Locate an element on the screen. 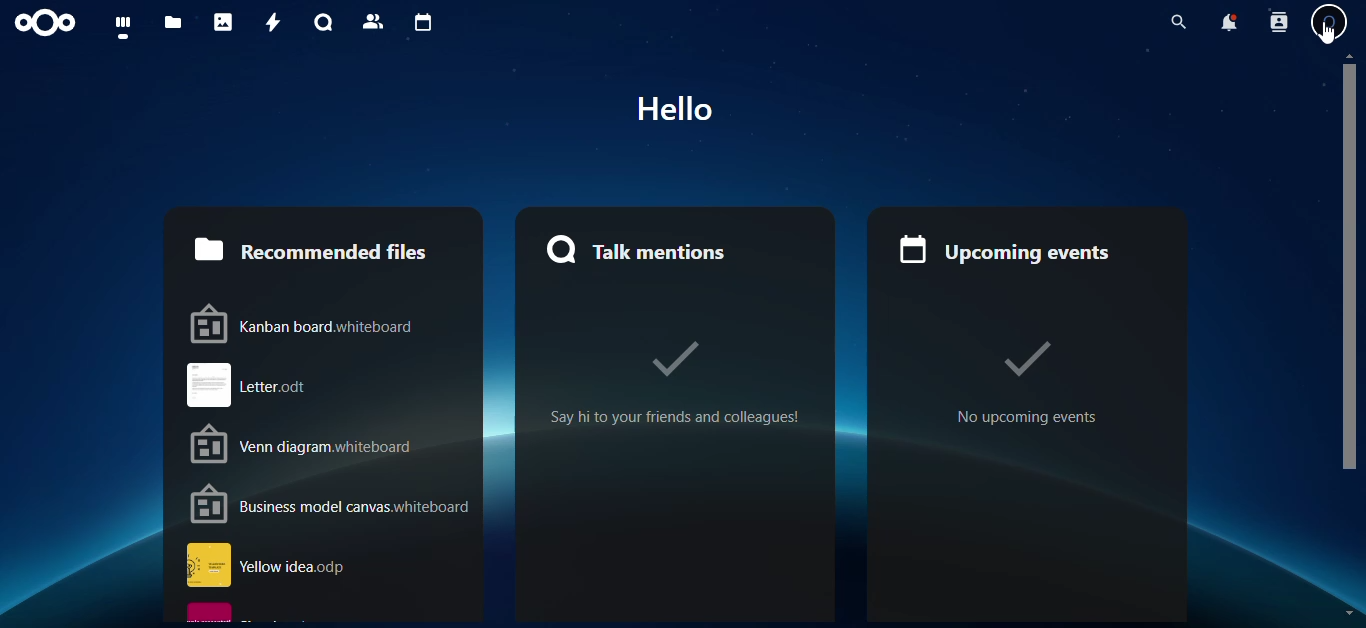 Image resolution: width=1366 pixels, height=628 pixels. talk mentions is located at coordinates (671, 249).